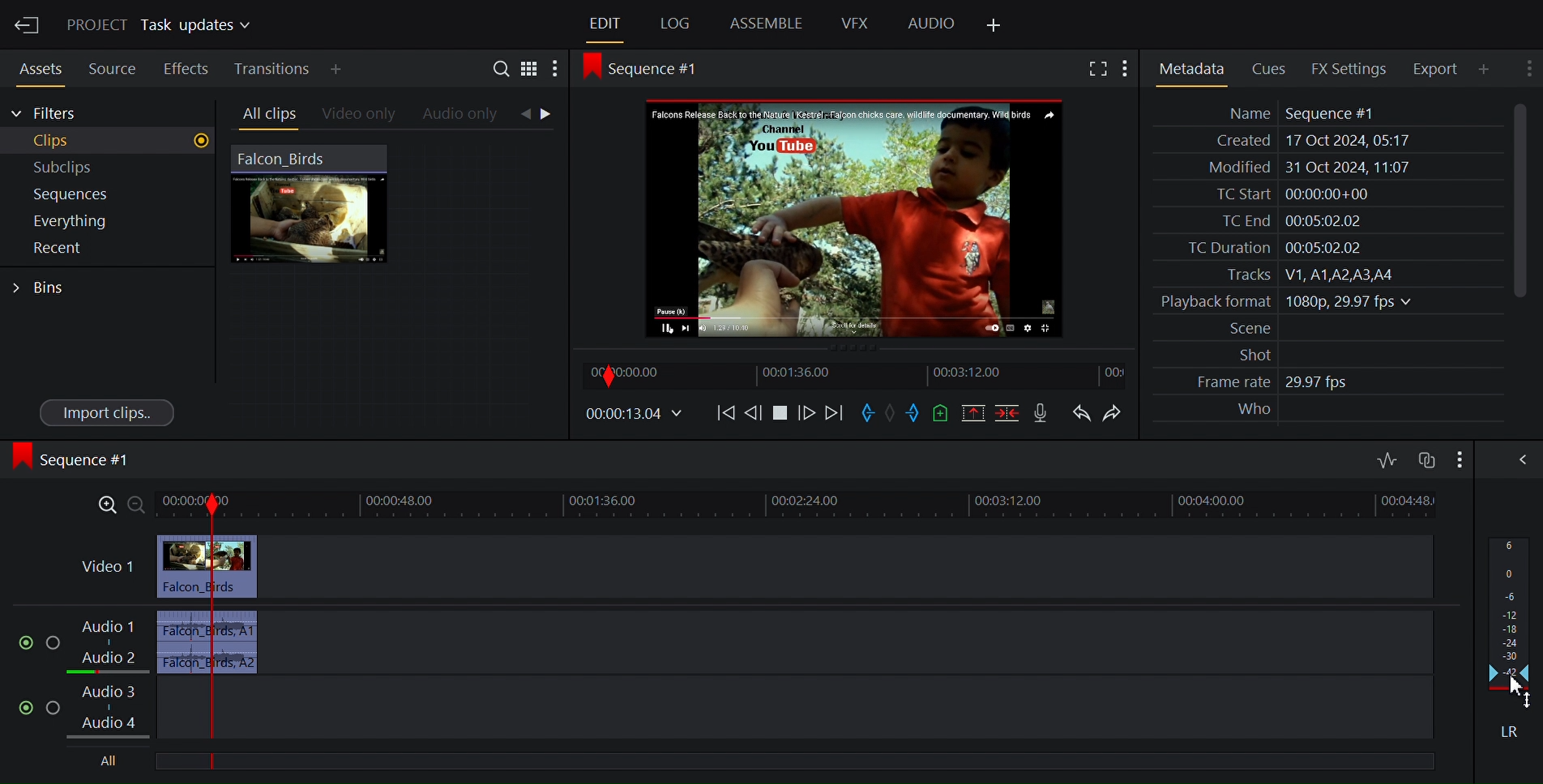 This screenshot has height=784, width=1543. Describe the element at coordinates (1225, 382) in the screenshot. I see `Frame rate` at that location.